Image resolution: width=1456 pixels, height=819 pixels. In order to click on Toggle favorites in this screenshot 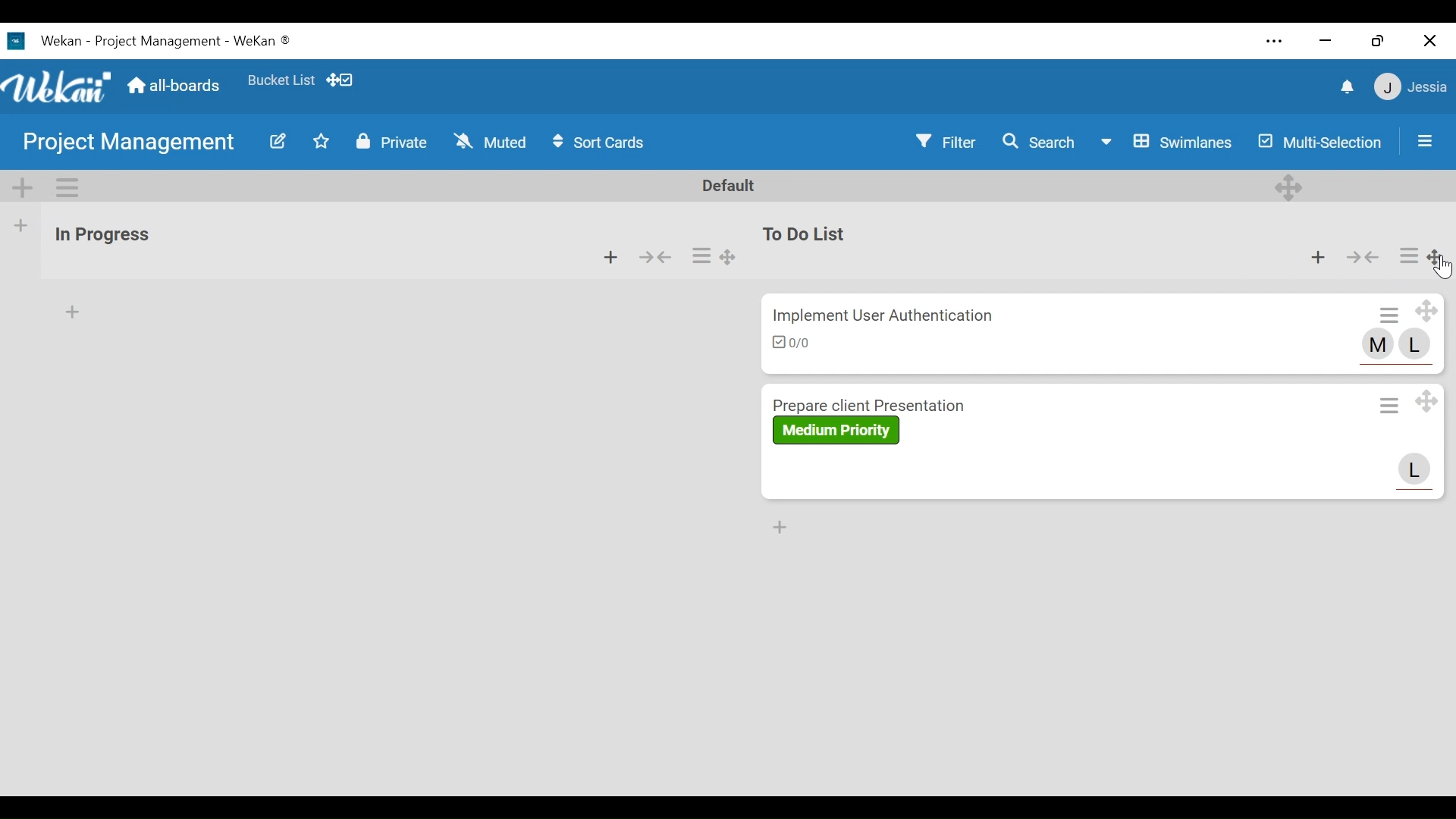, I will do `click(320, 142)`.